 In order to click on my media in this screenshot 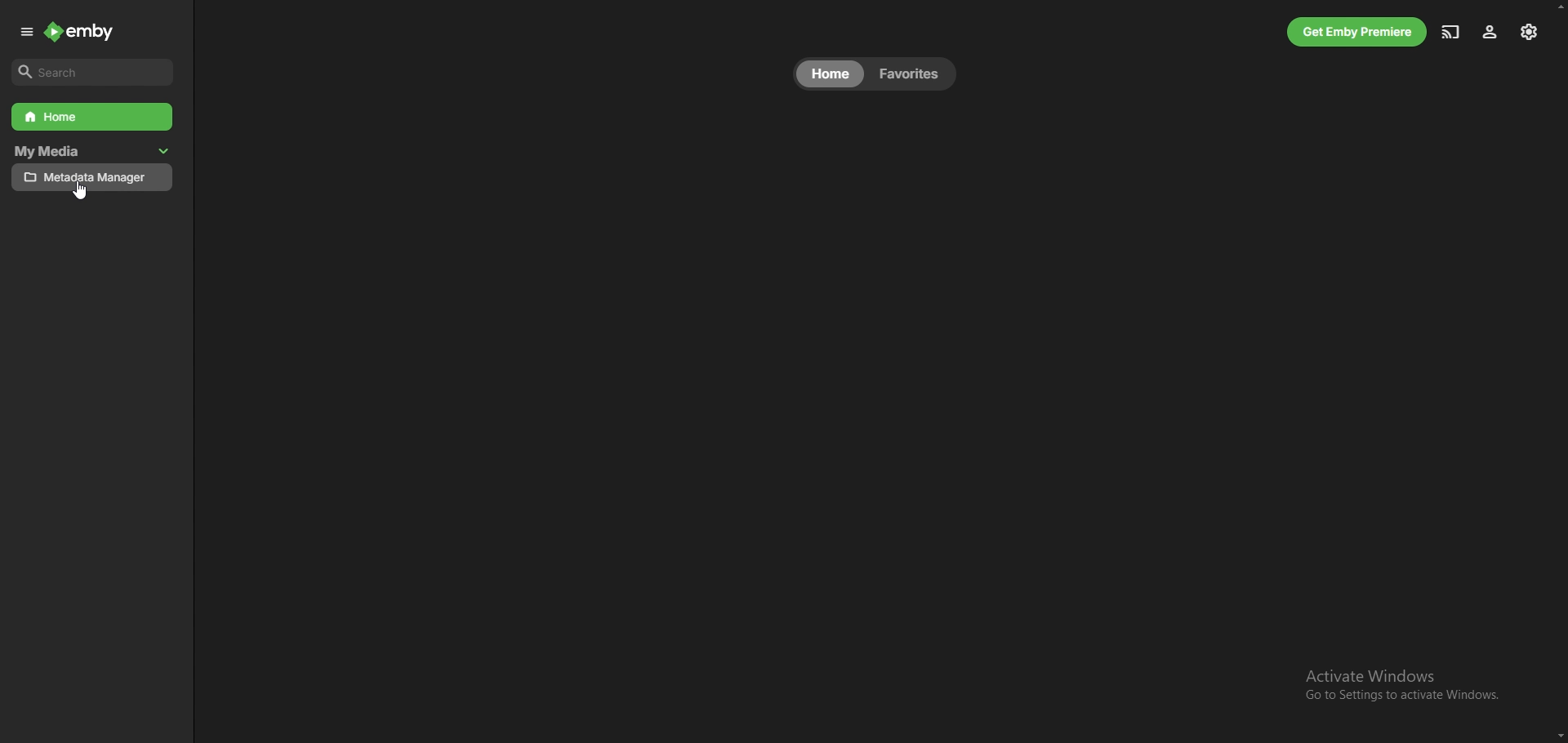, I will do `click(73, 152)`.